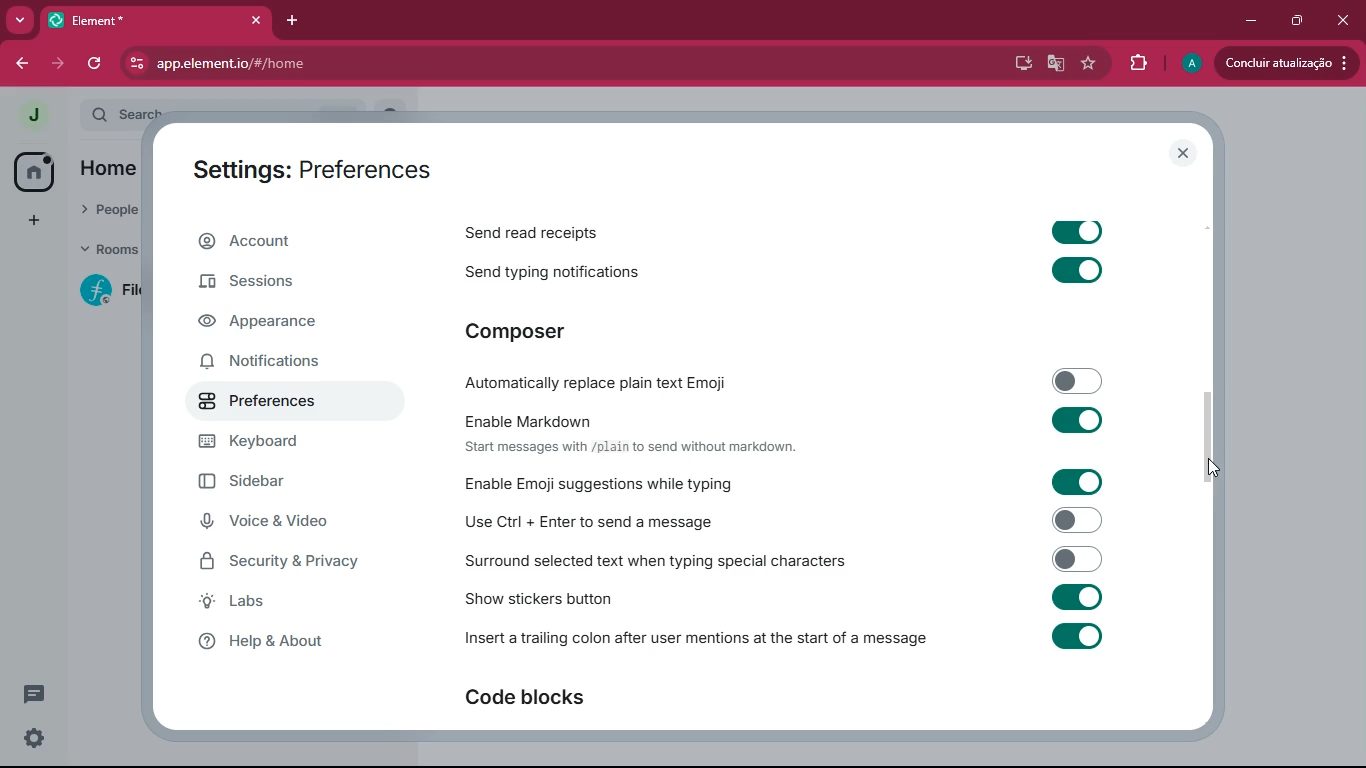 The image size is (1366, 768). I want to click on Automatically replace plain text Emoji, so click(783, 380).